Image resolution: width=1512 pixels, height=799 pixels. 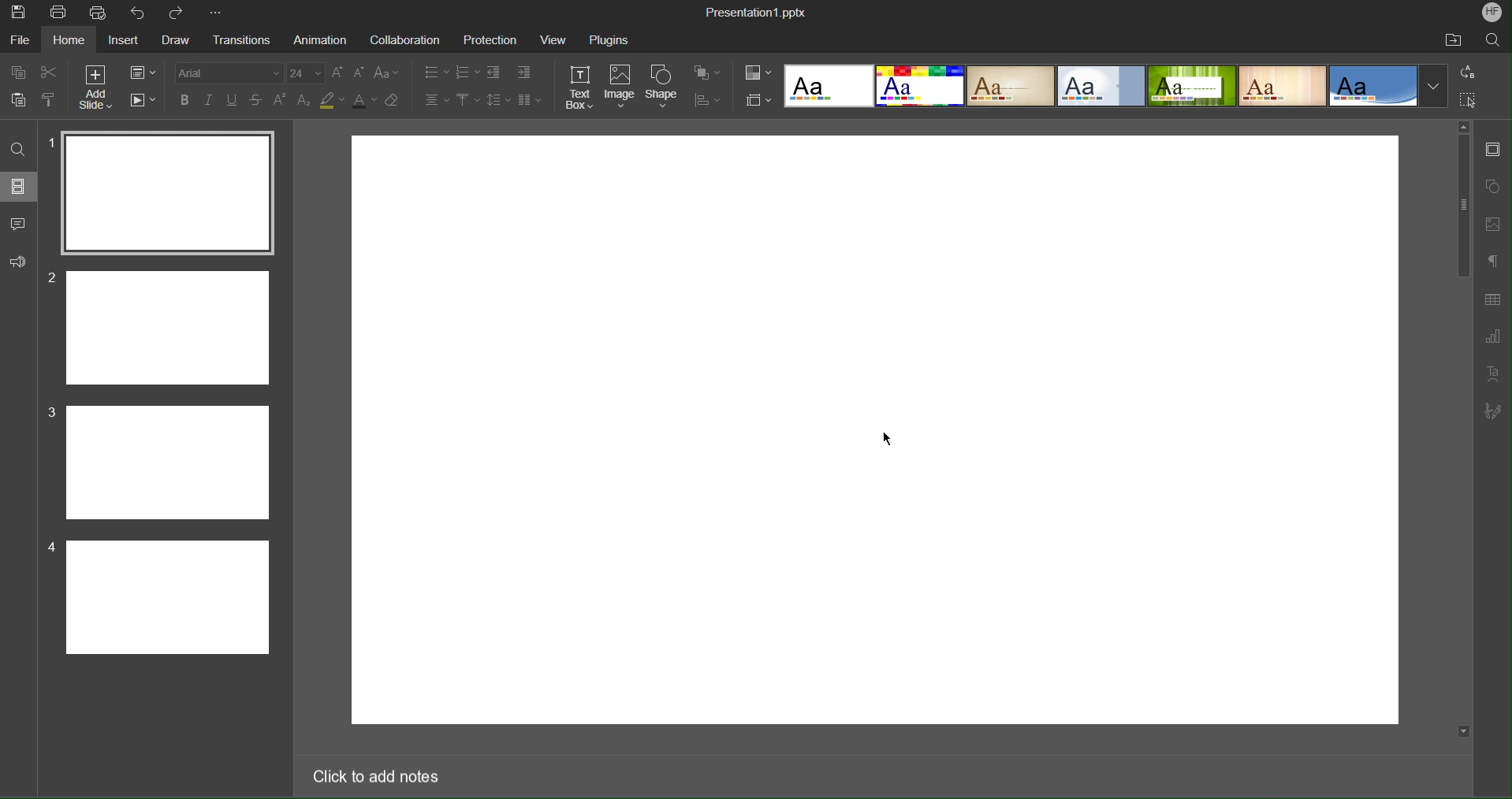 I want to click on clear formatting, so click(x=393, y=102).